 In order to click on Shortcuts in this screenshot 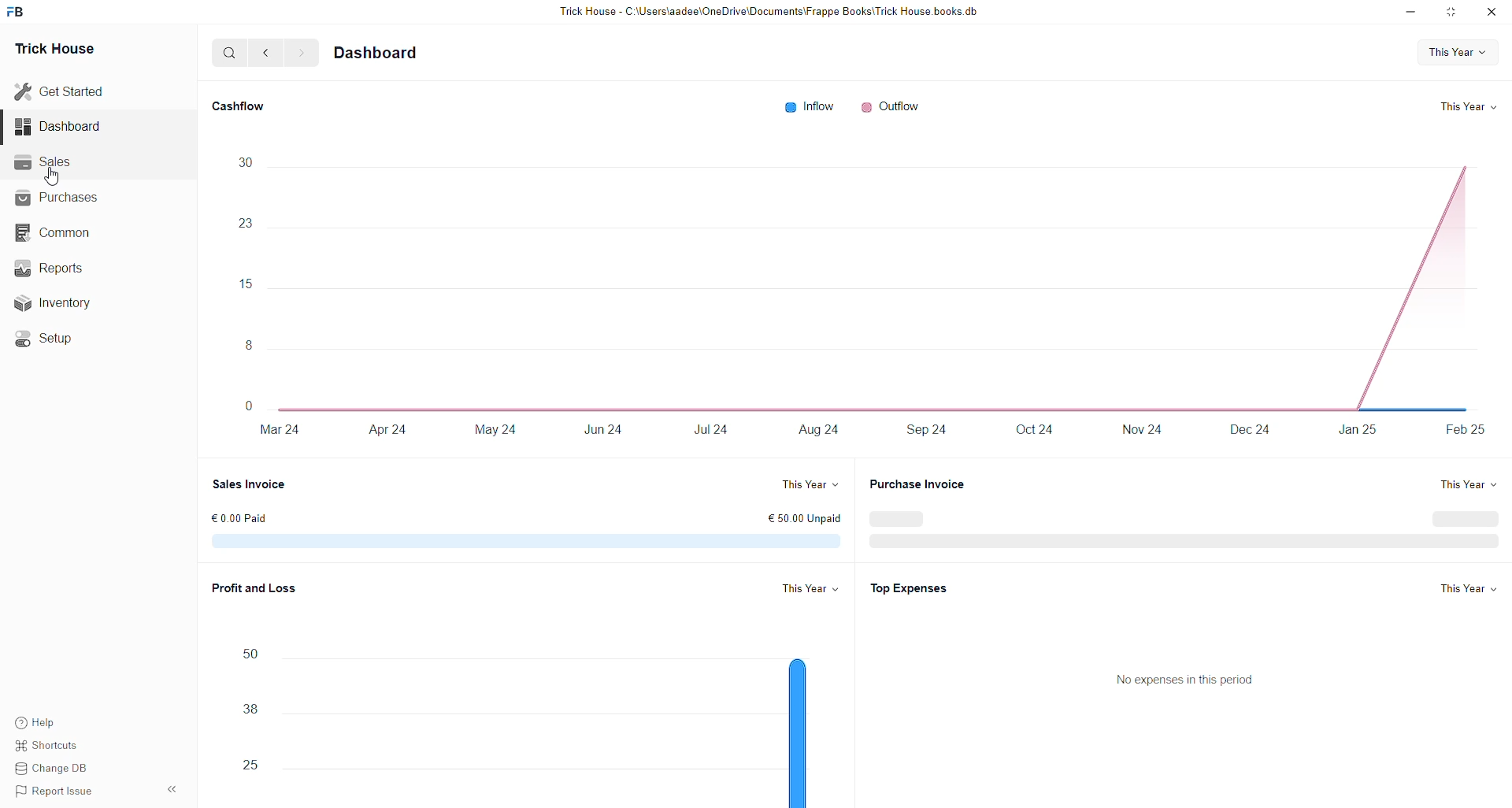, I will do `click(53, 743)`.